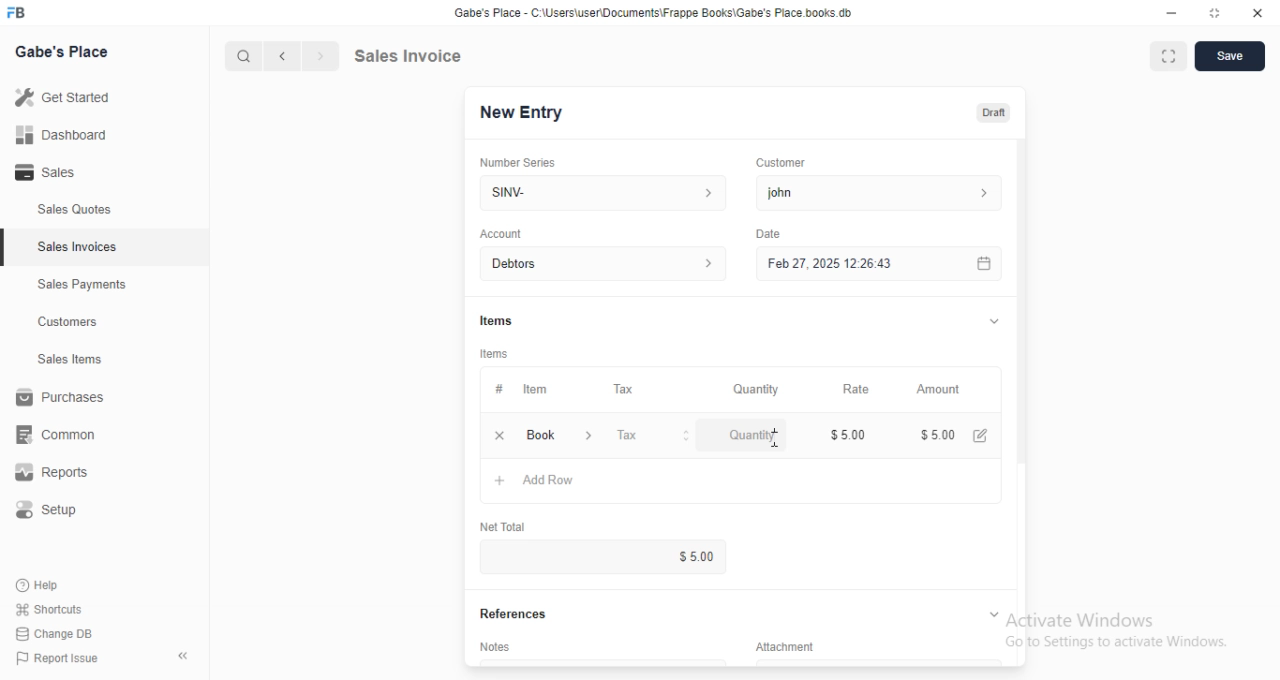  What do you see at coordinates (74, 212) in the screenshot?
I see `Sales Quotes` at bounding box center [74, 212].